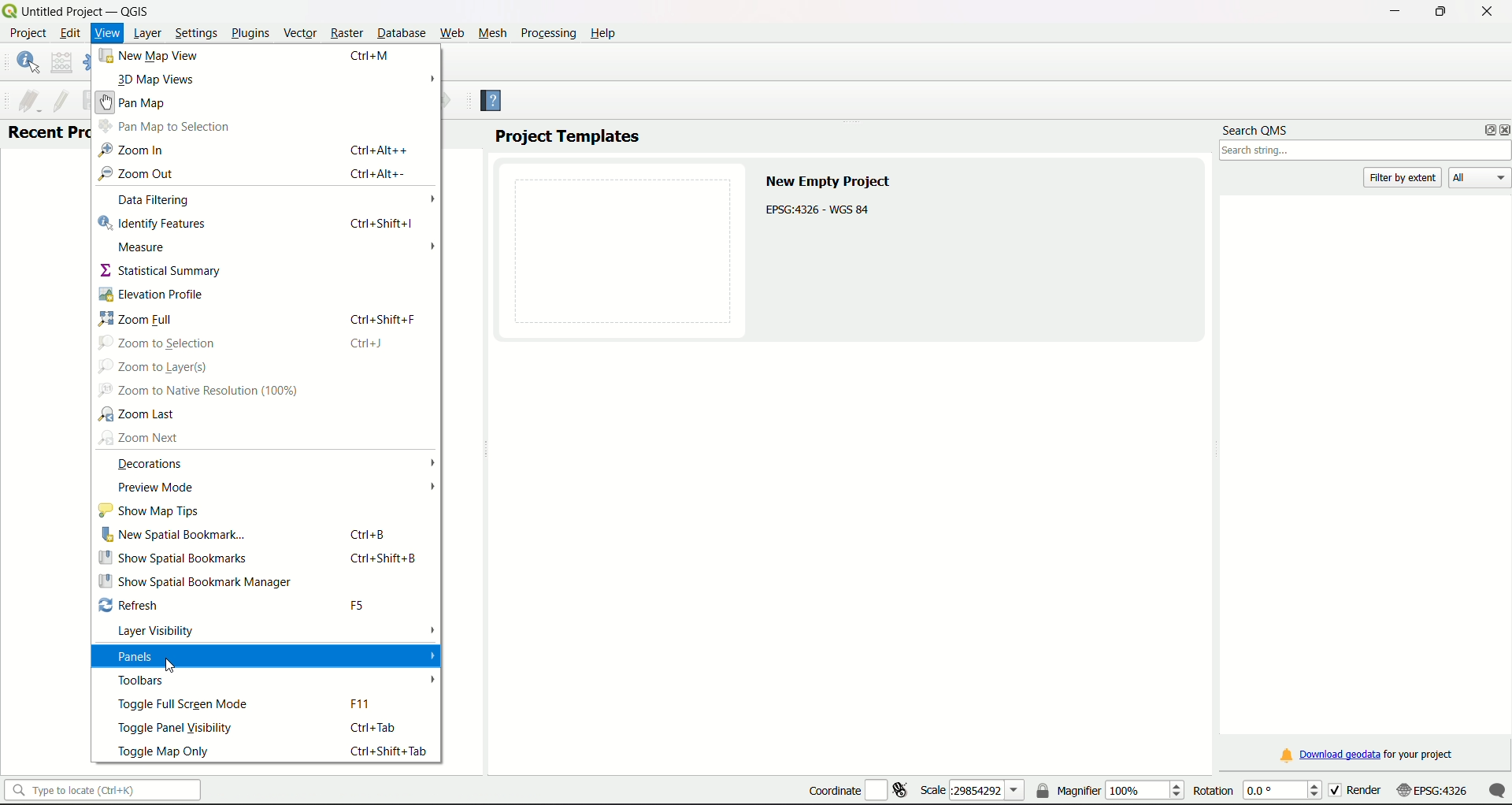 Image resolution: width=1512 pixels, height=805 pixels. What do you see at coordinates (832, 198) in the screenshot?
I see `text` at bounding box center [832, 198].